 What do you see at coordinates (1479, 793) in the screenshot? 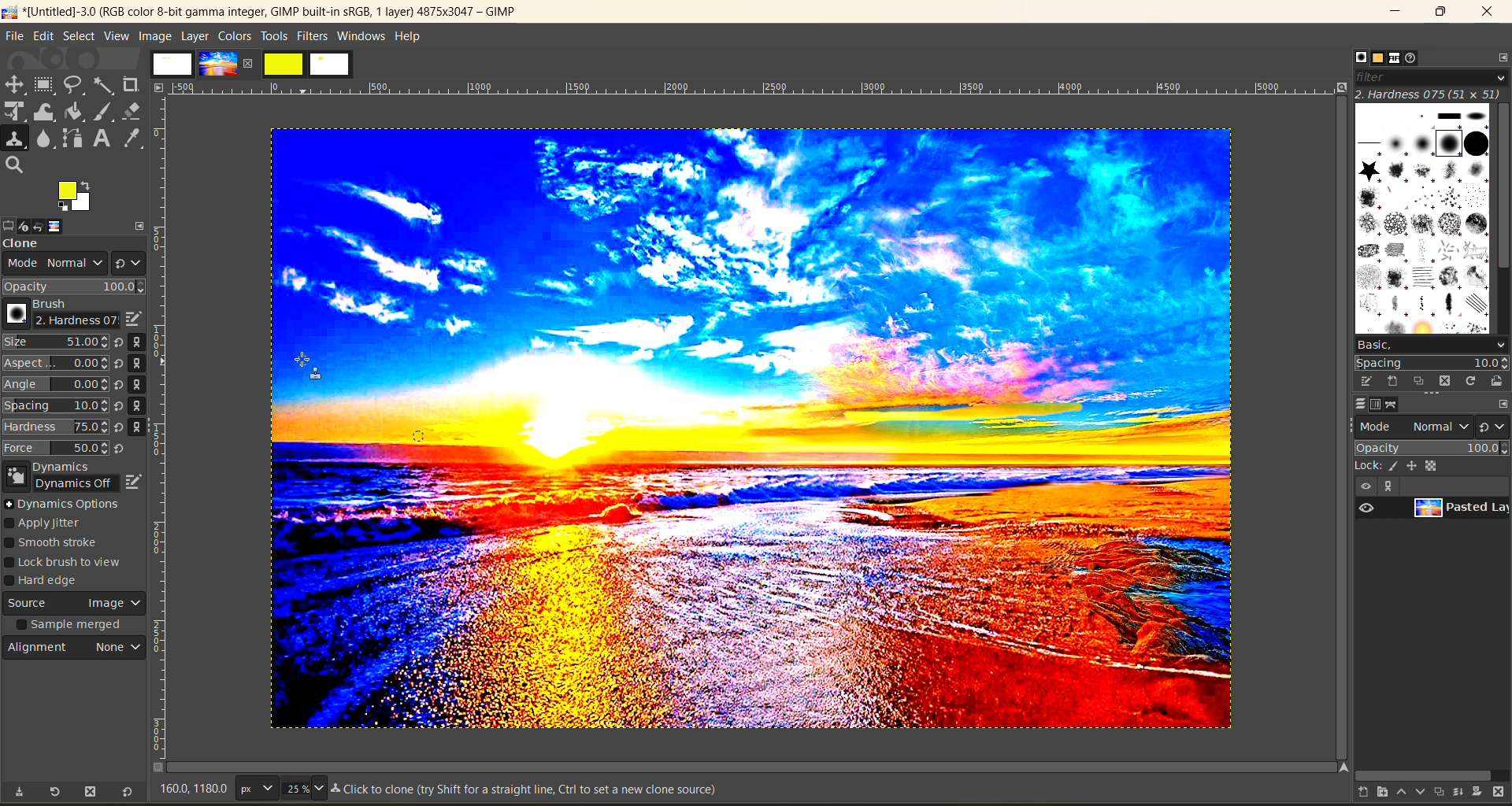
I see `add a mask` at bounding box center [1479, 793].